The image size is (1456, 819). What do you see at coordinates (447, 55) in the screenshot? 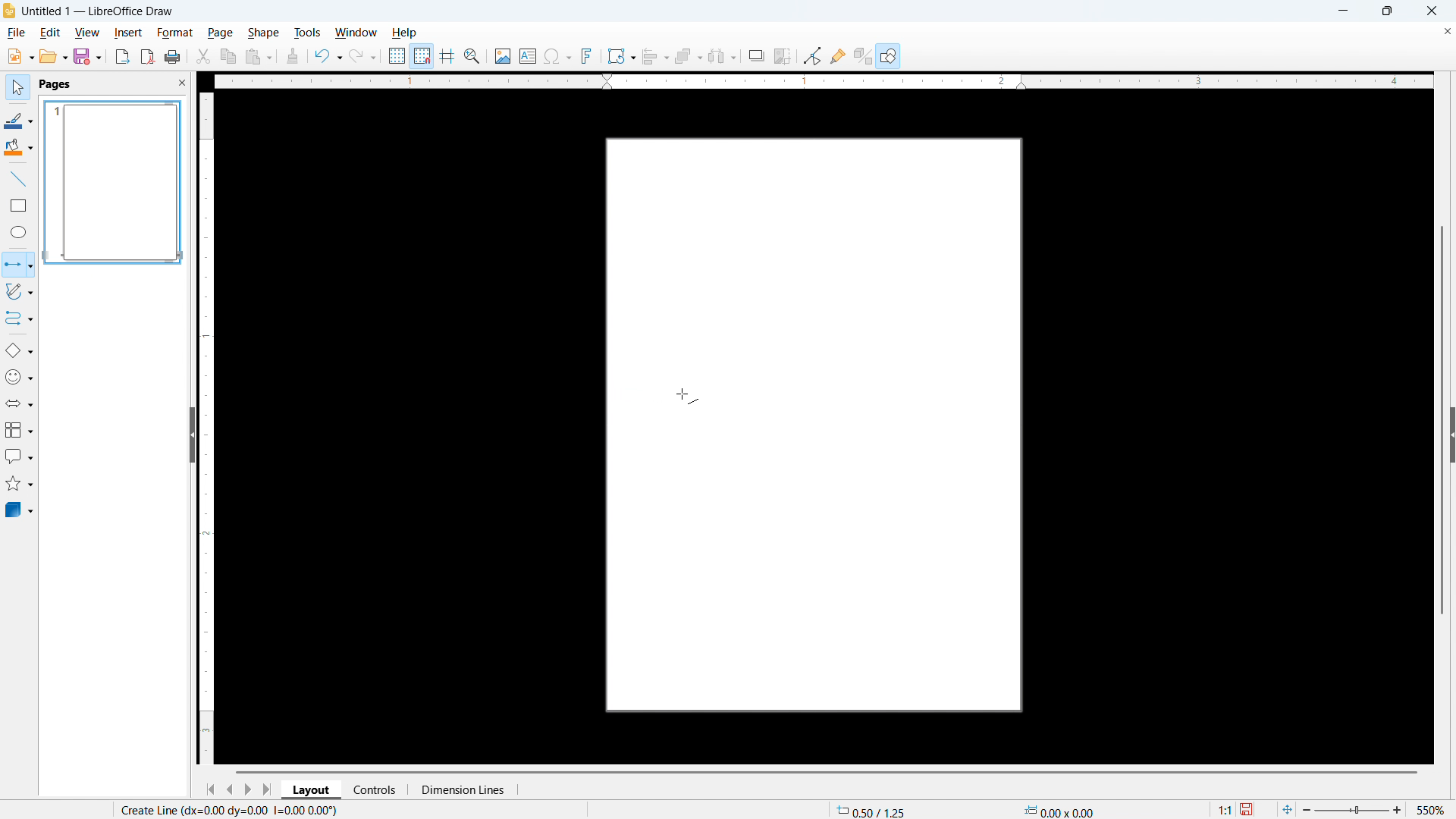
I see `Guideline while moving ` at bounding box center [447, 55].